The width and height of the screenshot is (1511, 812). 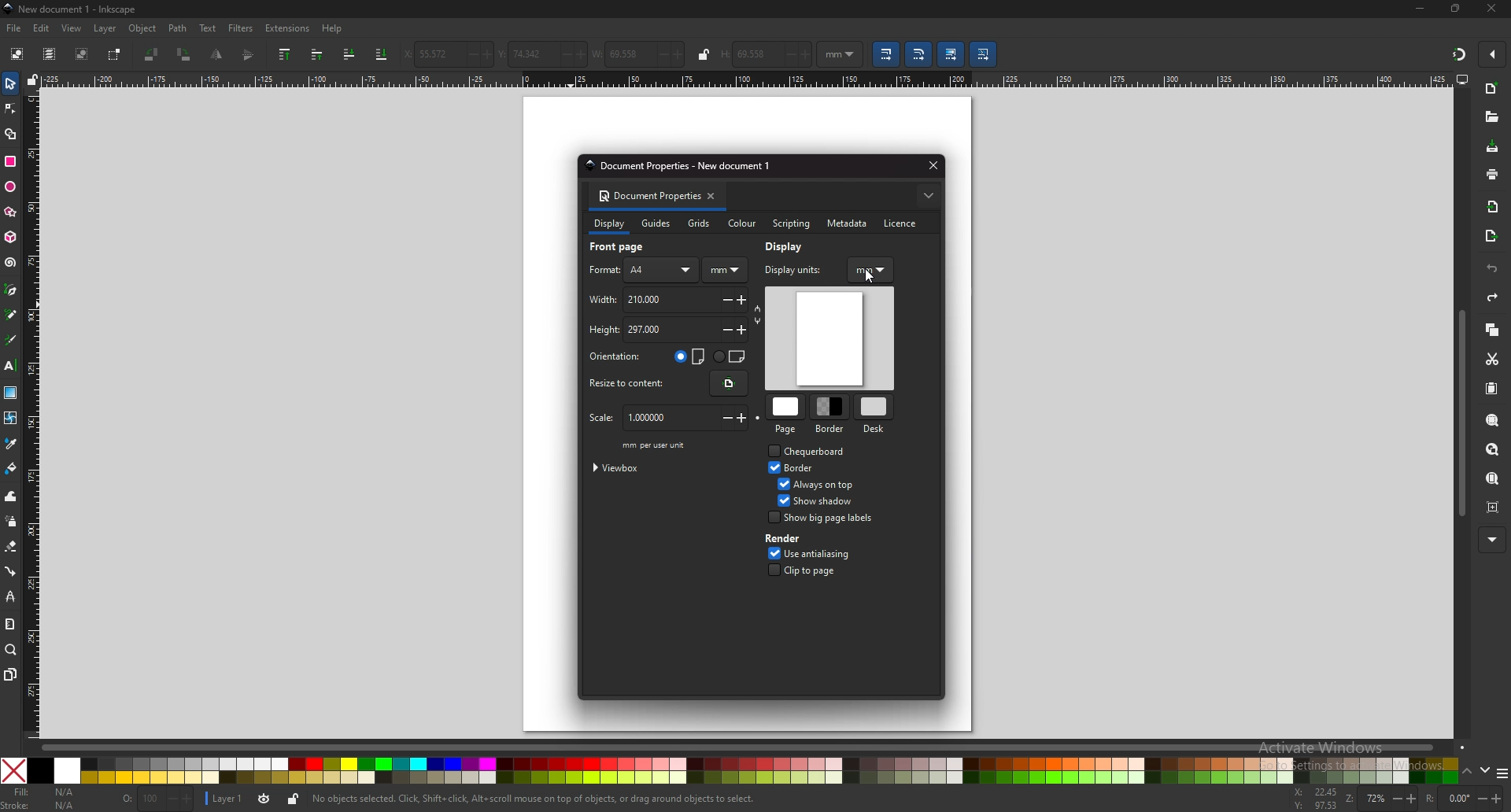 I want to click on file, so click(x=15, y=29).